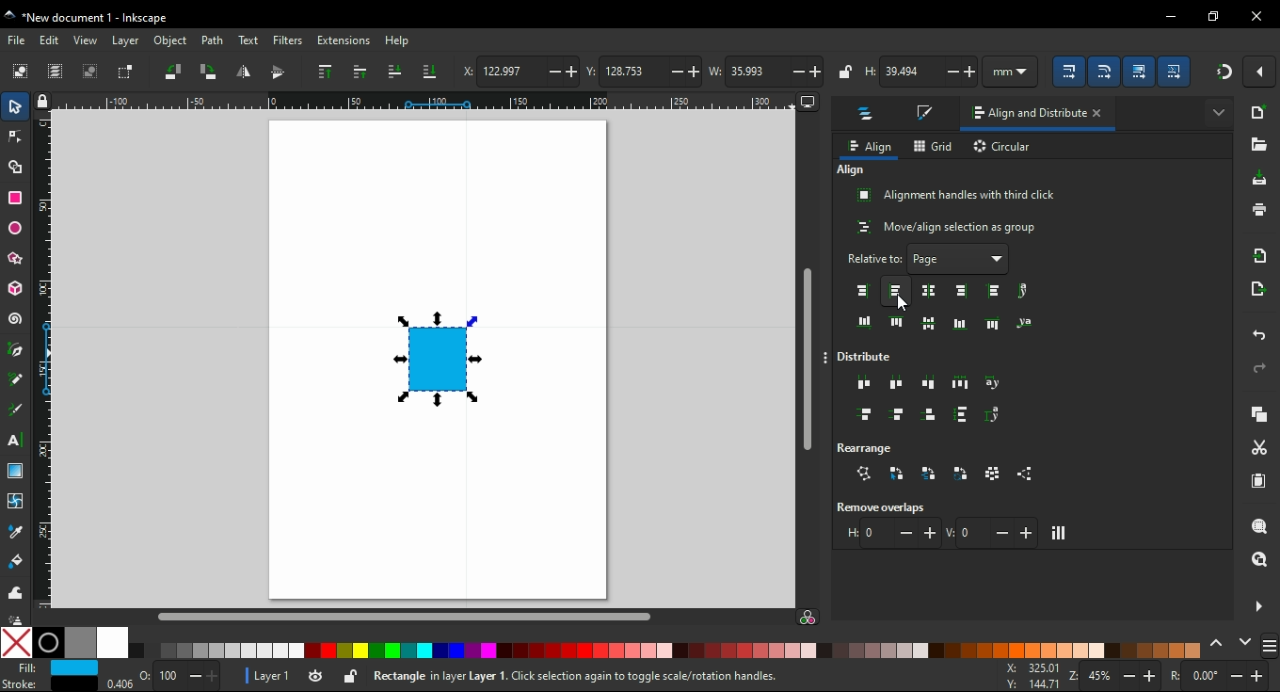 The height and width of the screenshot is (692, 1280). I want to click on edit, so click(51, 40).